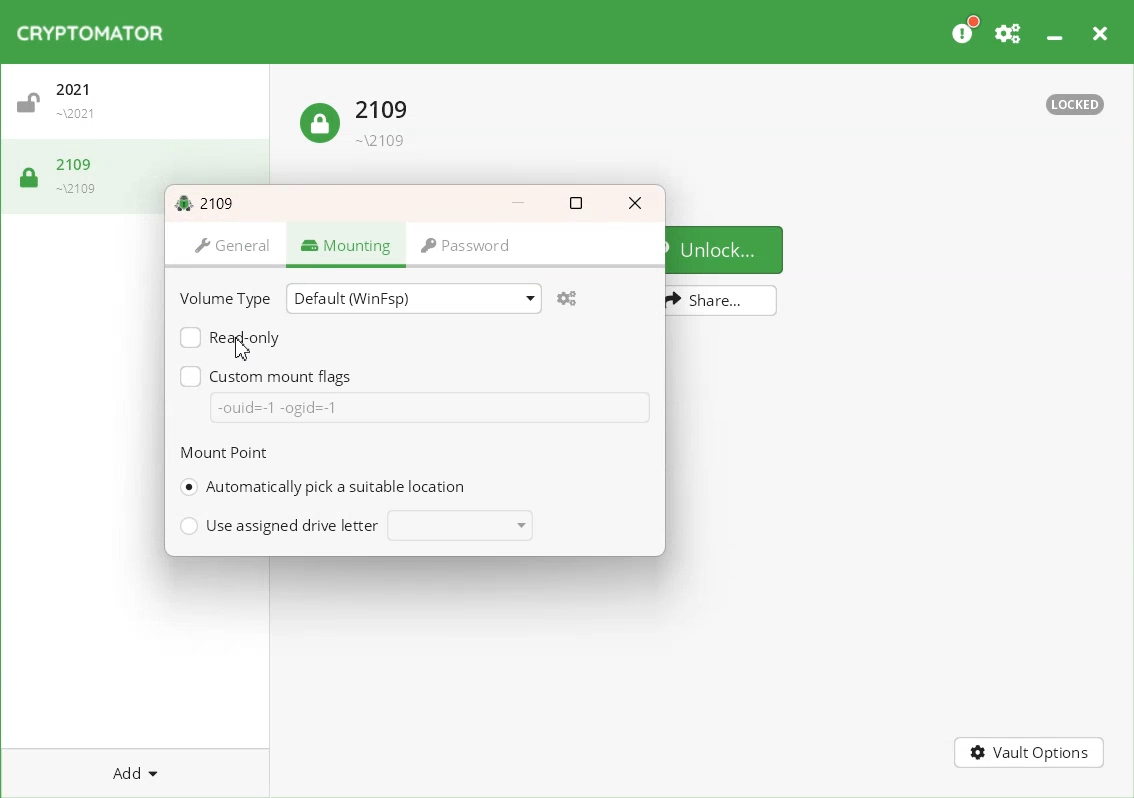 The width and height of the screenshot is (1134, 798). Describe the element at coordinates (1057, 32) in the screenshot. I see `Minimize` at that location.